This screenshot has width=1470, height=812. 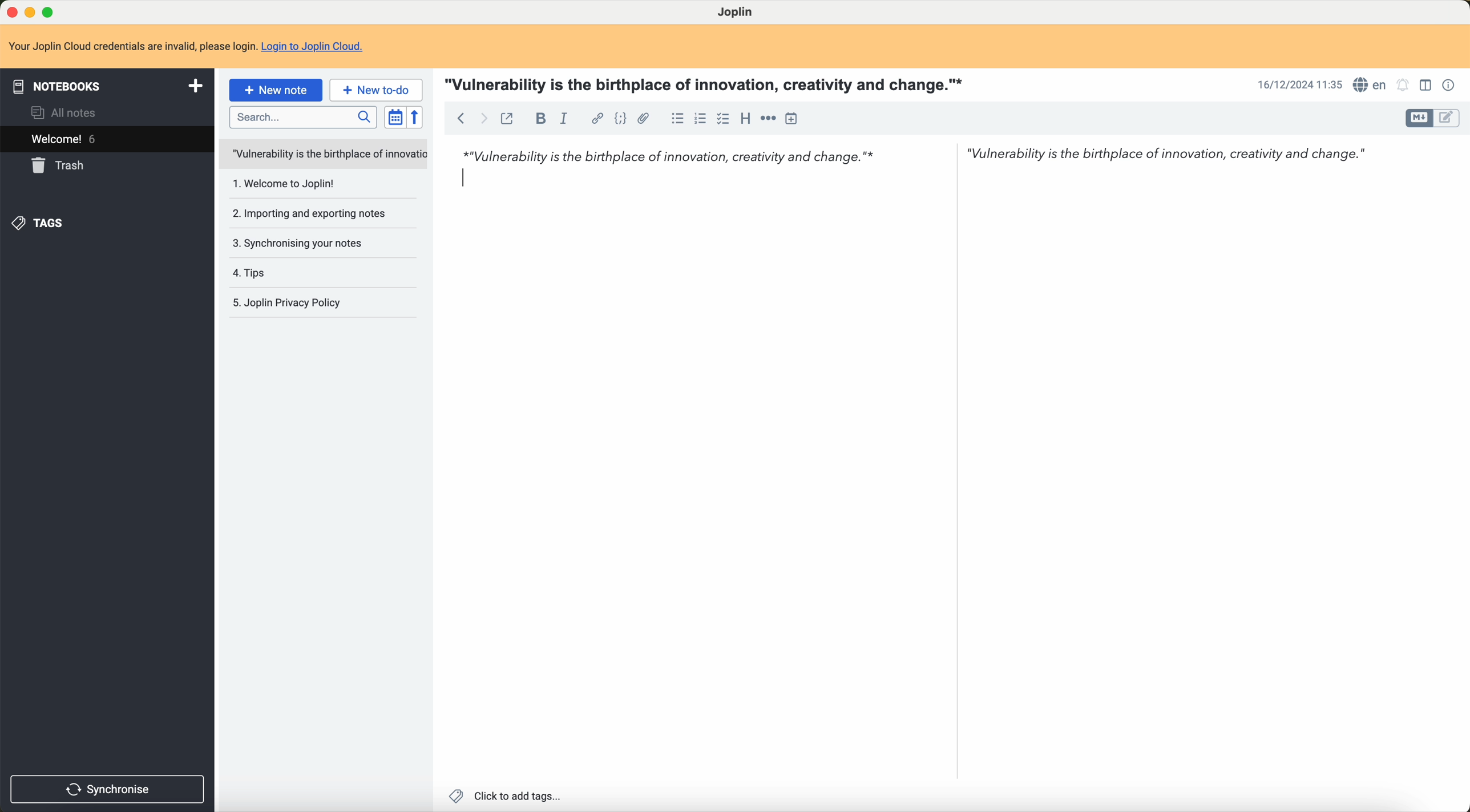 What do you see at coordinates (1405, 86) in the screenshot?
I see `set alarm` at bounding box center [1405, 86].